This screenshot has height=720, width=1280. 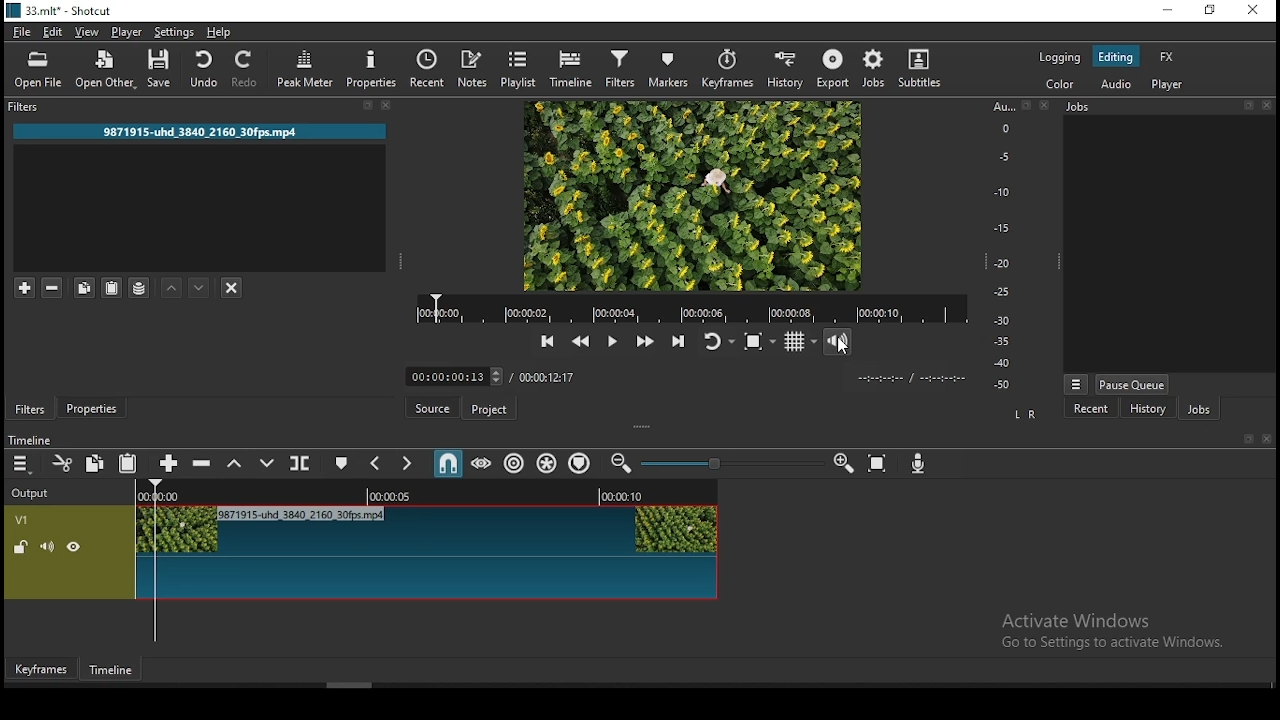 I want to click on (un) mute, so click(x=48, y=547).